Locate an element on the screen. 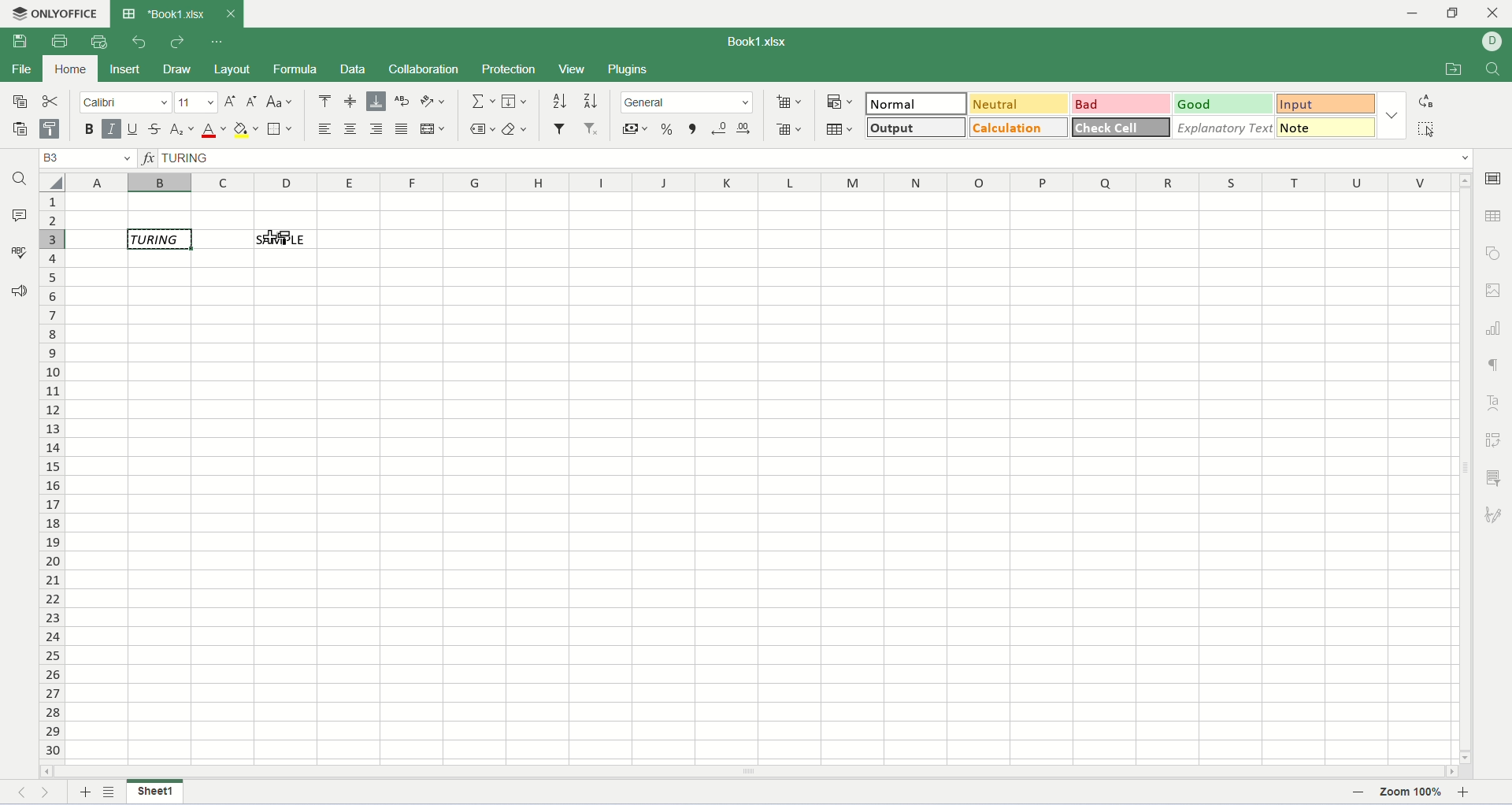 This screenshot has width=1512, height=805. align left is located at coordinates (328, 128).